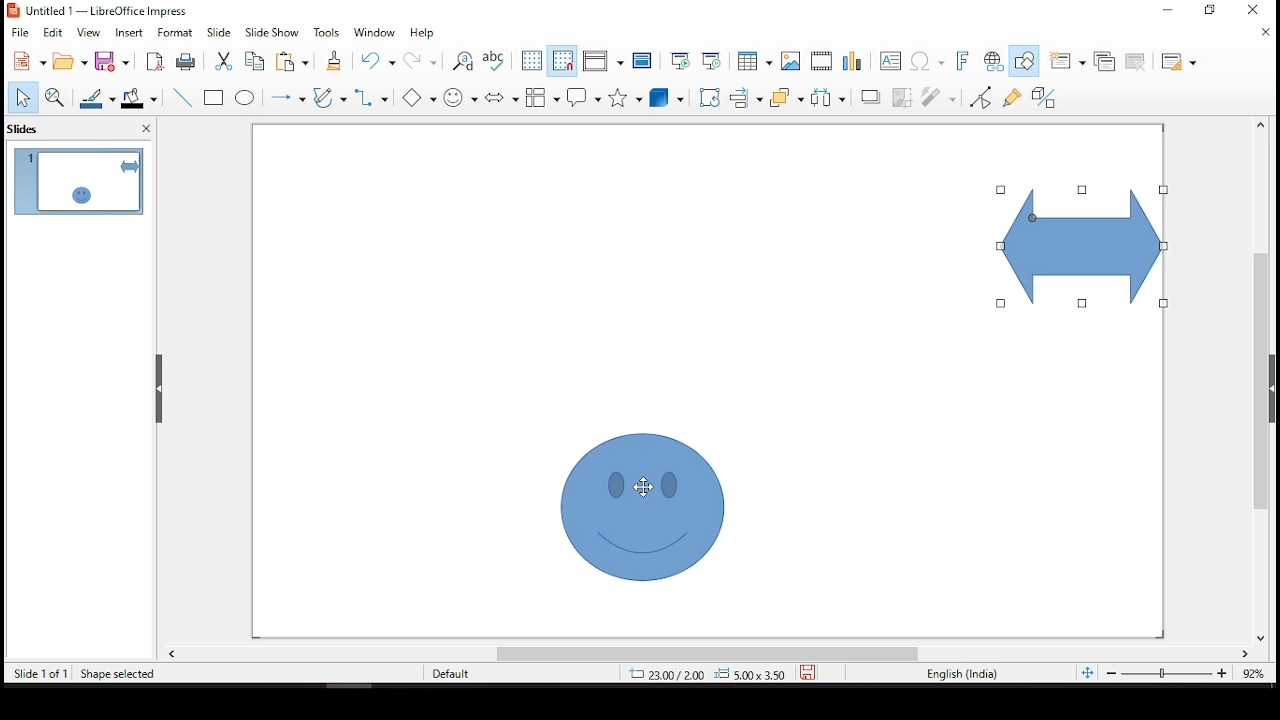 Image resolution: width=1280 pixels, height=720 pixels. What do you see at coordinates (463, 96) in the screenshot?
I see `symbol shapes` at bounding box center [463, 96].